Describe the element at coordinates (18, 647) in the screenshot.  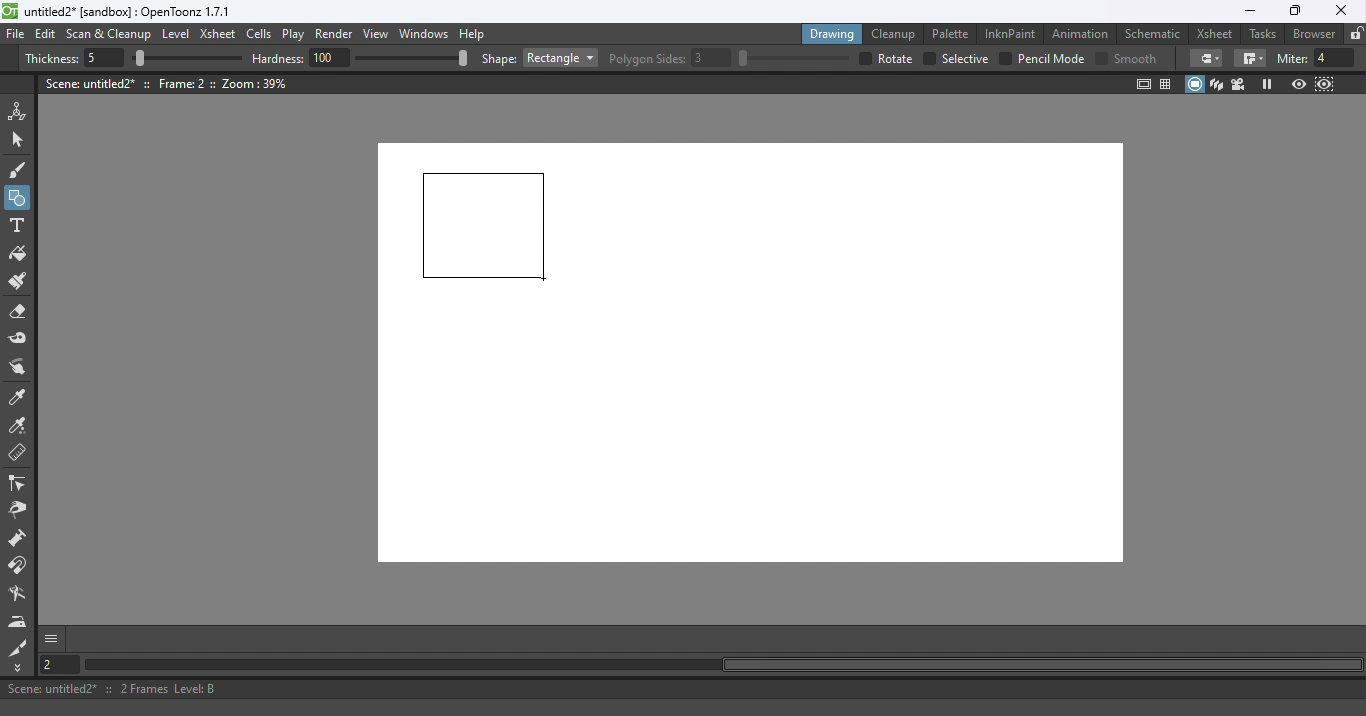
I see `Cutter tool` at that location.